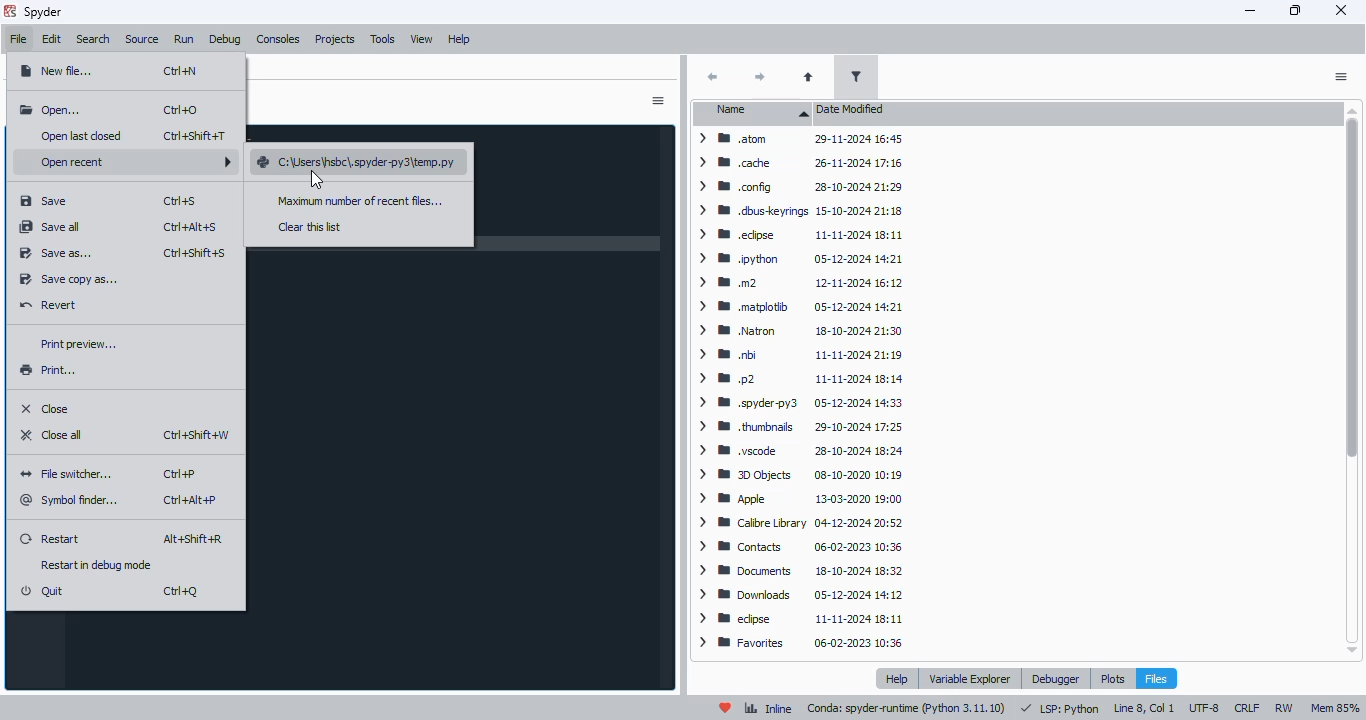 This screenshot has width=1366, height=720. Describe the element at coordinates (801, 620) in the screenshot. I see `> W edipse 11-11-2024 18:11` at that location.